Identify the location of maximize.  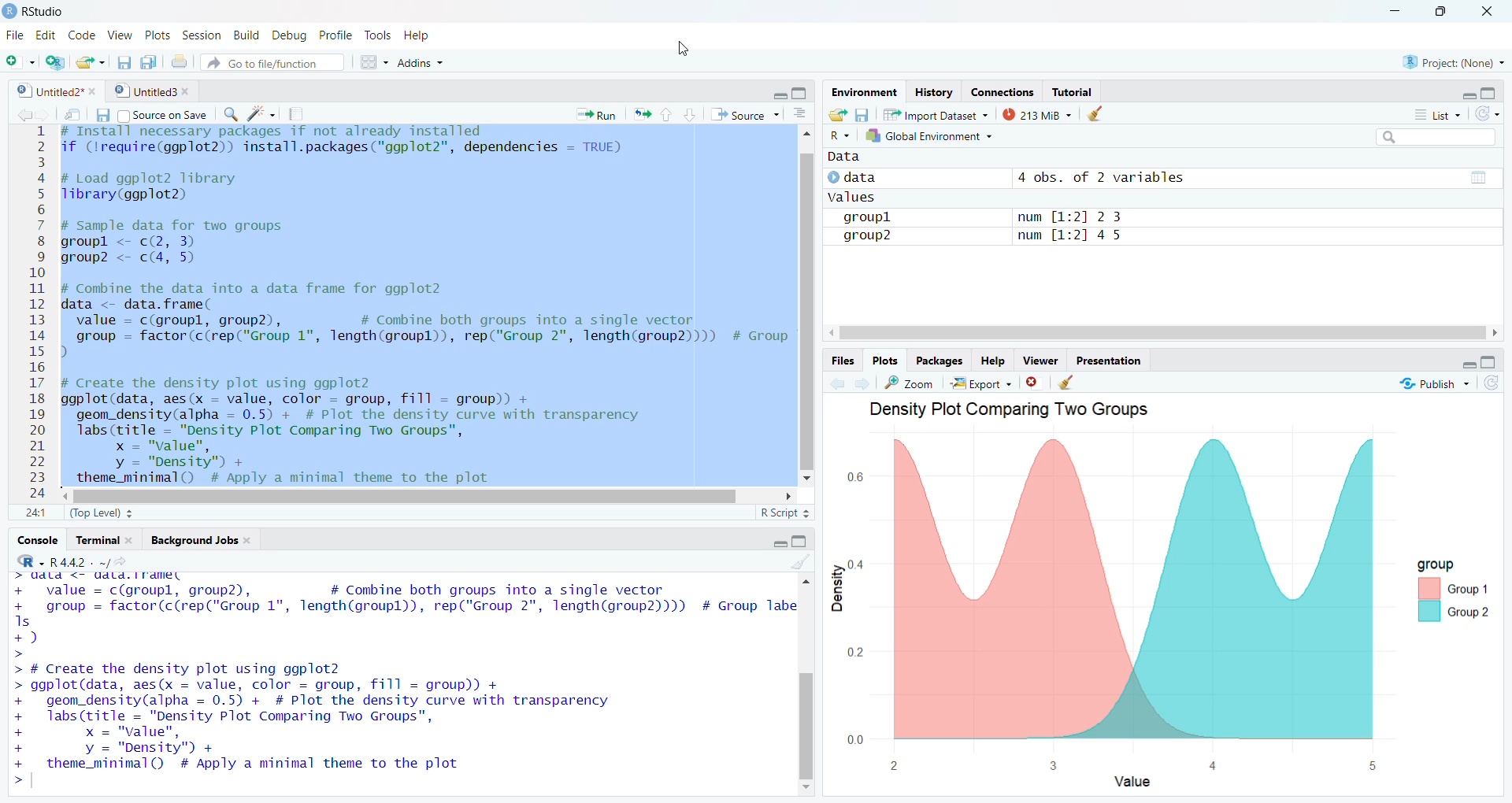
(1492, 361).